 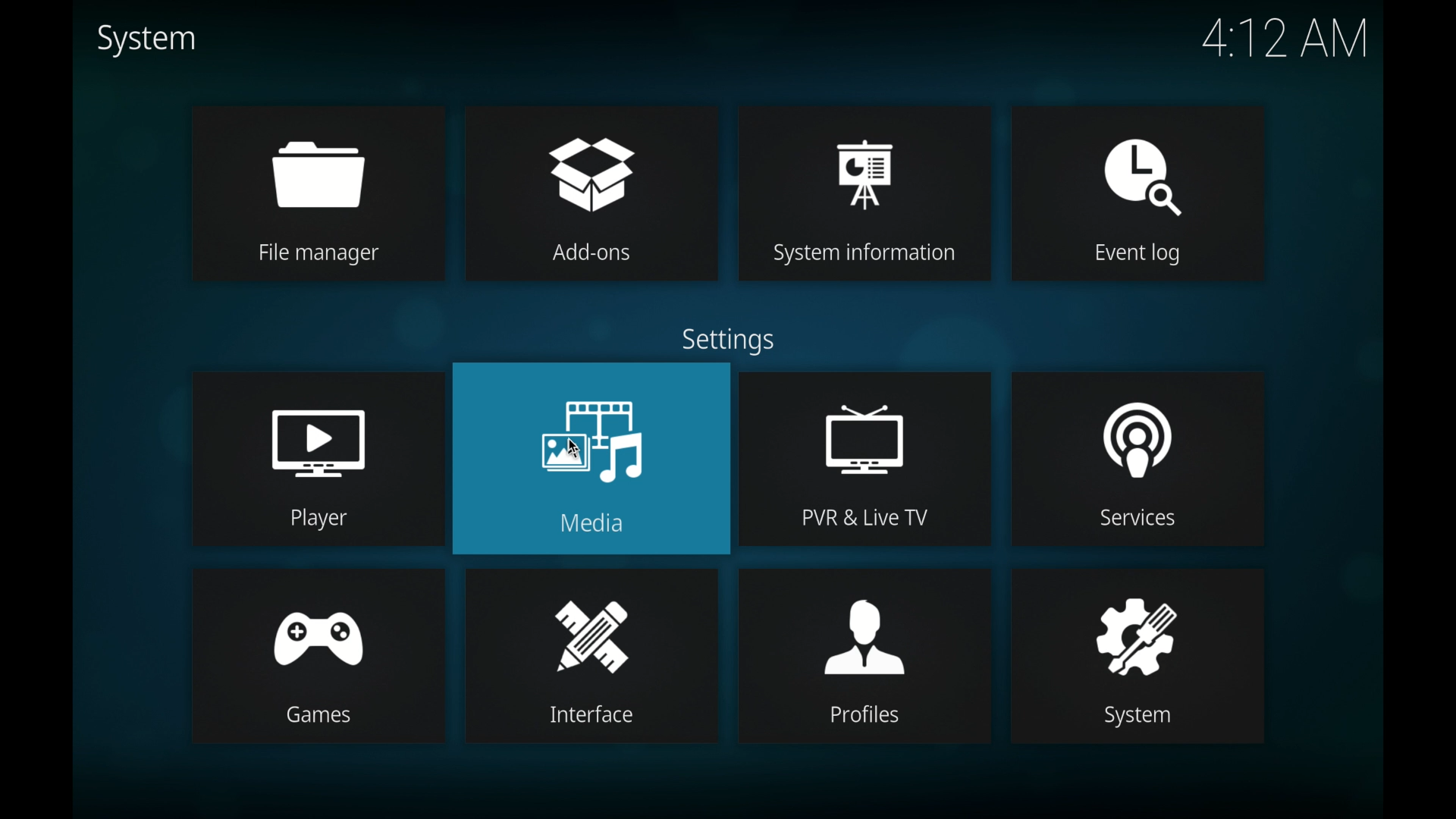 I want to click on System information, so click(x=870, y=257).